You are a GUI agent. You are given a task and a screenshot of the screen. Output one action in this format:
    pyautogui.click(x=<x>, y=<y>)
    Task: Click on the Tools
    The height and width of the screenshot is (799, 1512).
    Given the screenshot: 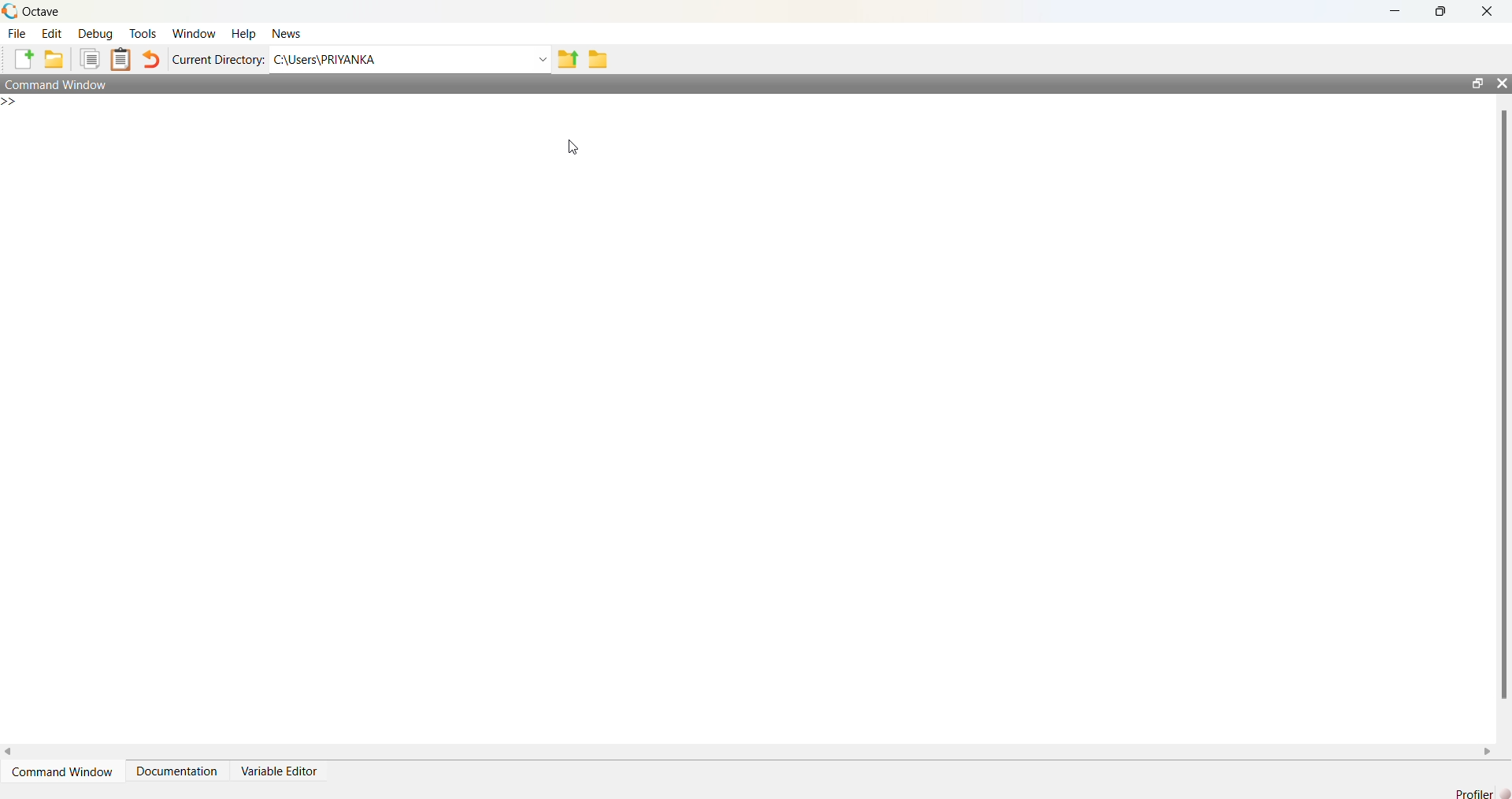 What is the action you would take?
    pyautogui.click(x=143, y=32)
    